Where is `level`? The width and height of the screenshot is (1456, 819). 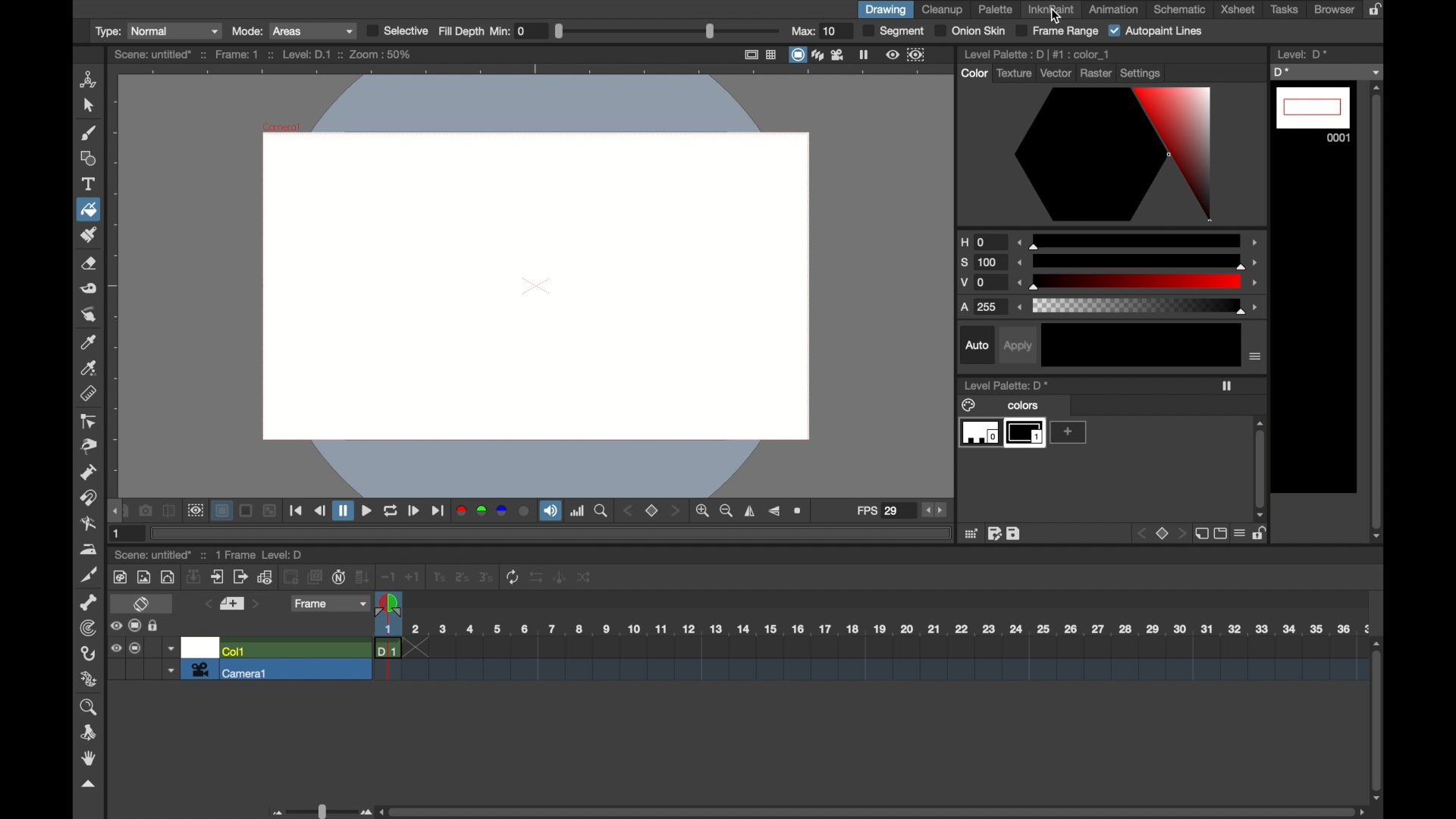
level is located at coordinates (1313, 115).